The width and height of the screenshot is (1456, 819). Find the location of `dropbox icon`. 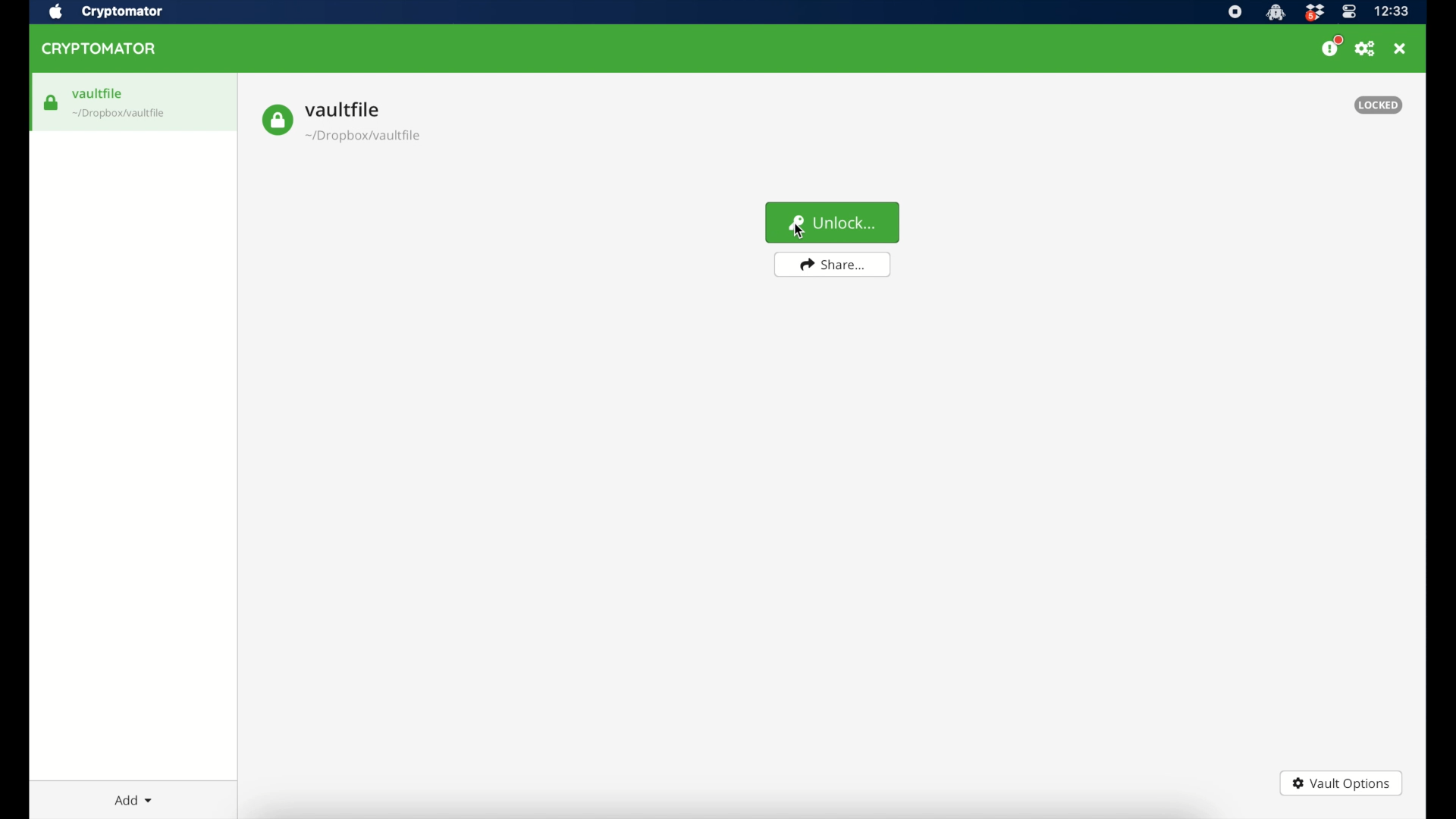

dropbox icon is located at coordinates (1314, 11).